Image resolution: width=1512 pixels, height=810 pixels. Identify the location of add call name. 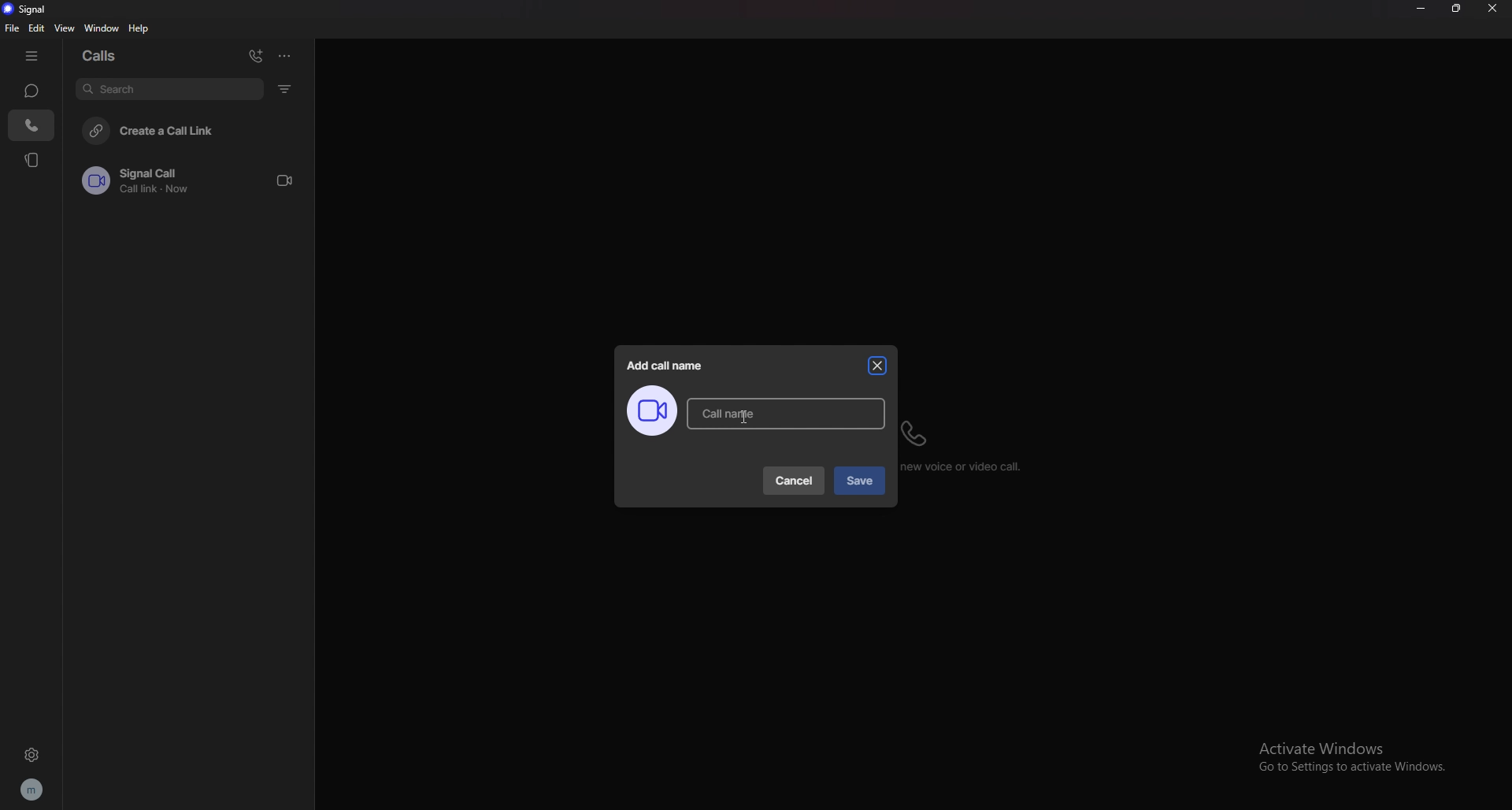
(666, 366).